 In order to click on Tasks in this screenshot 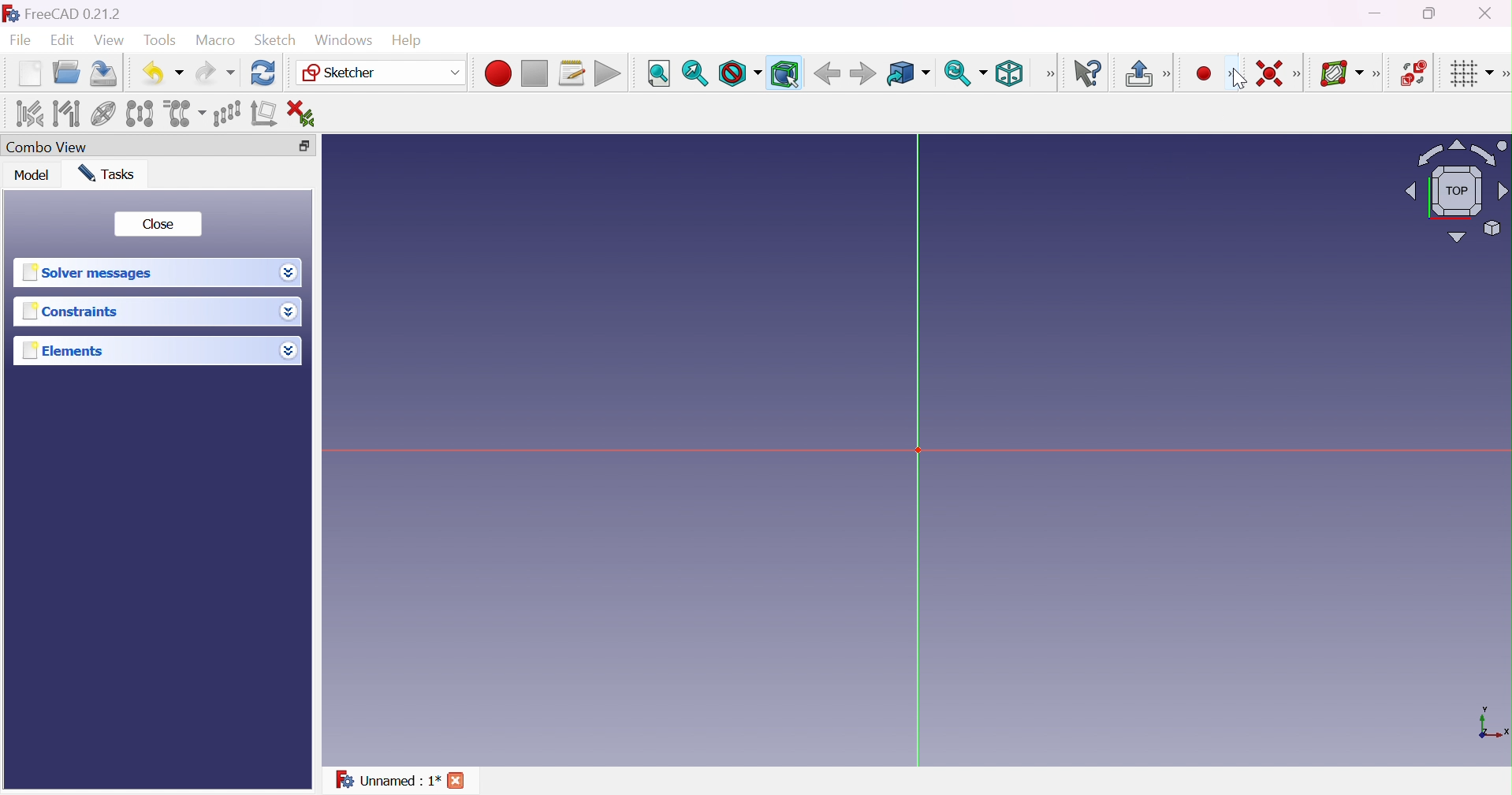, I will do `click(112, 174)`.